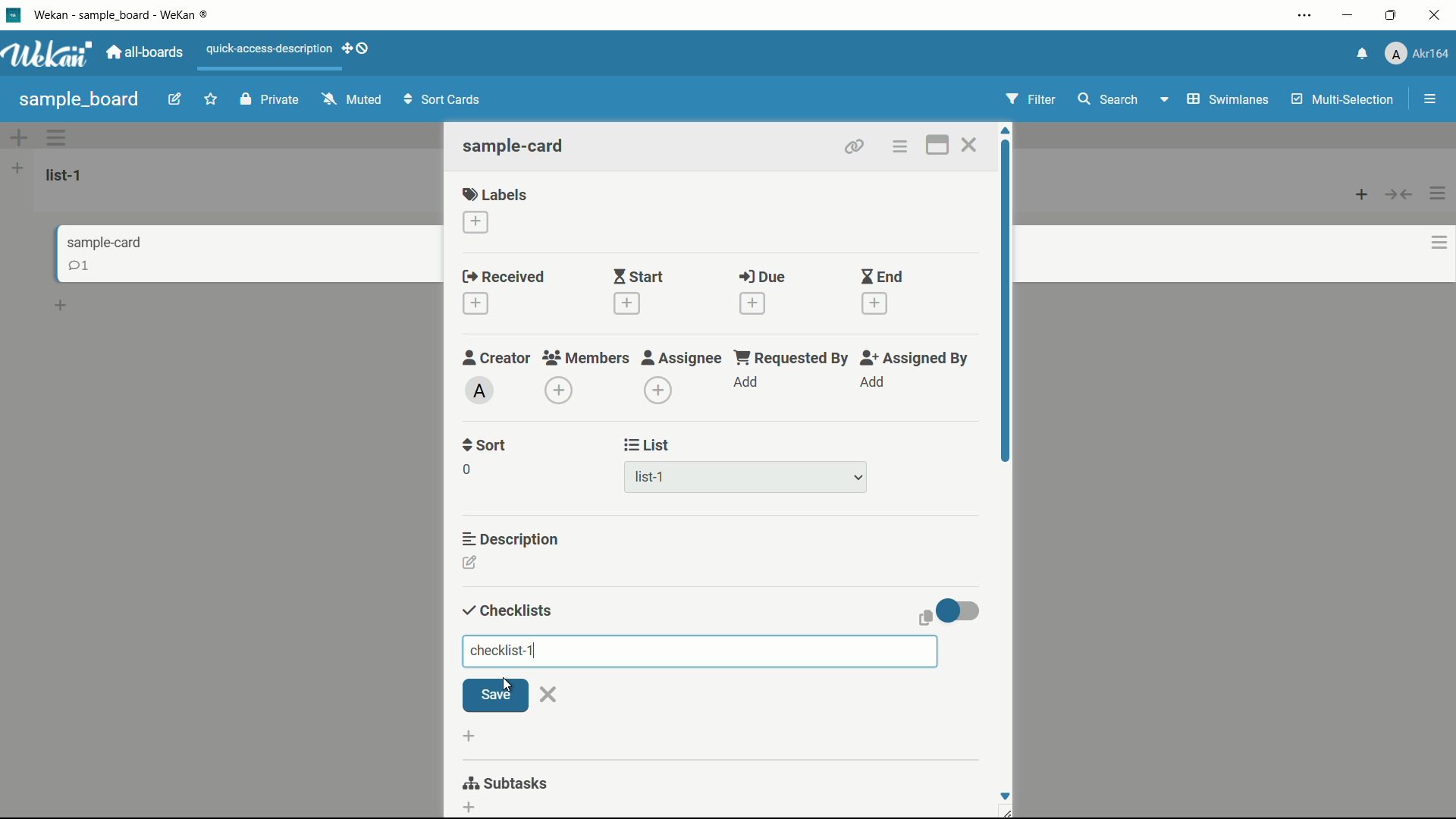  I want to click on copy clipboard, so click(927, 619).